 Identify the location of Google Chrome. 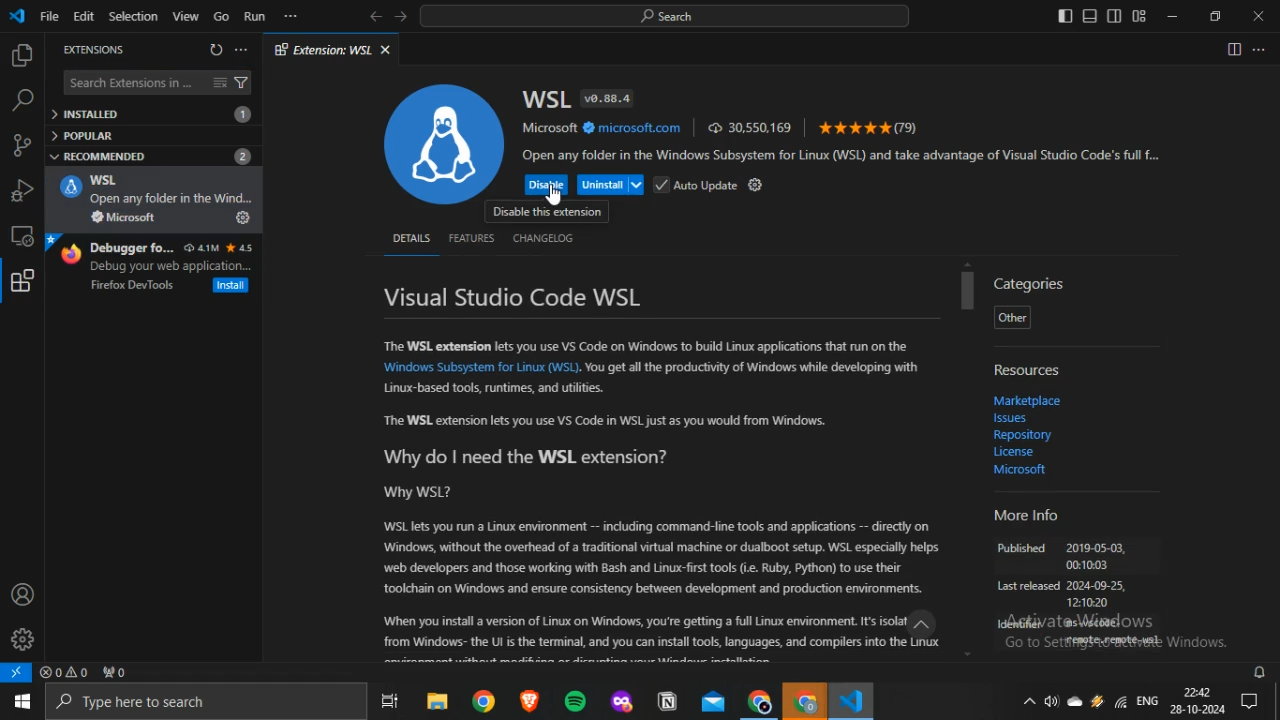
(759, 701).